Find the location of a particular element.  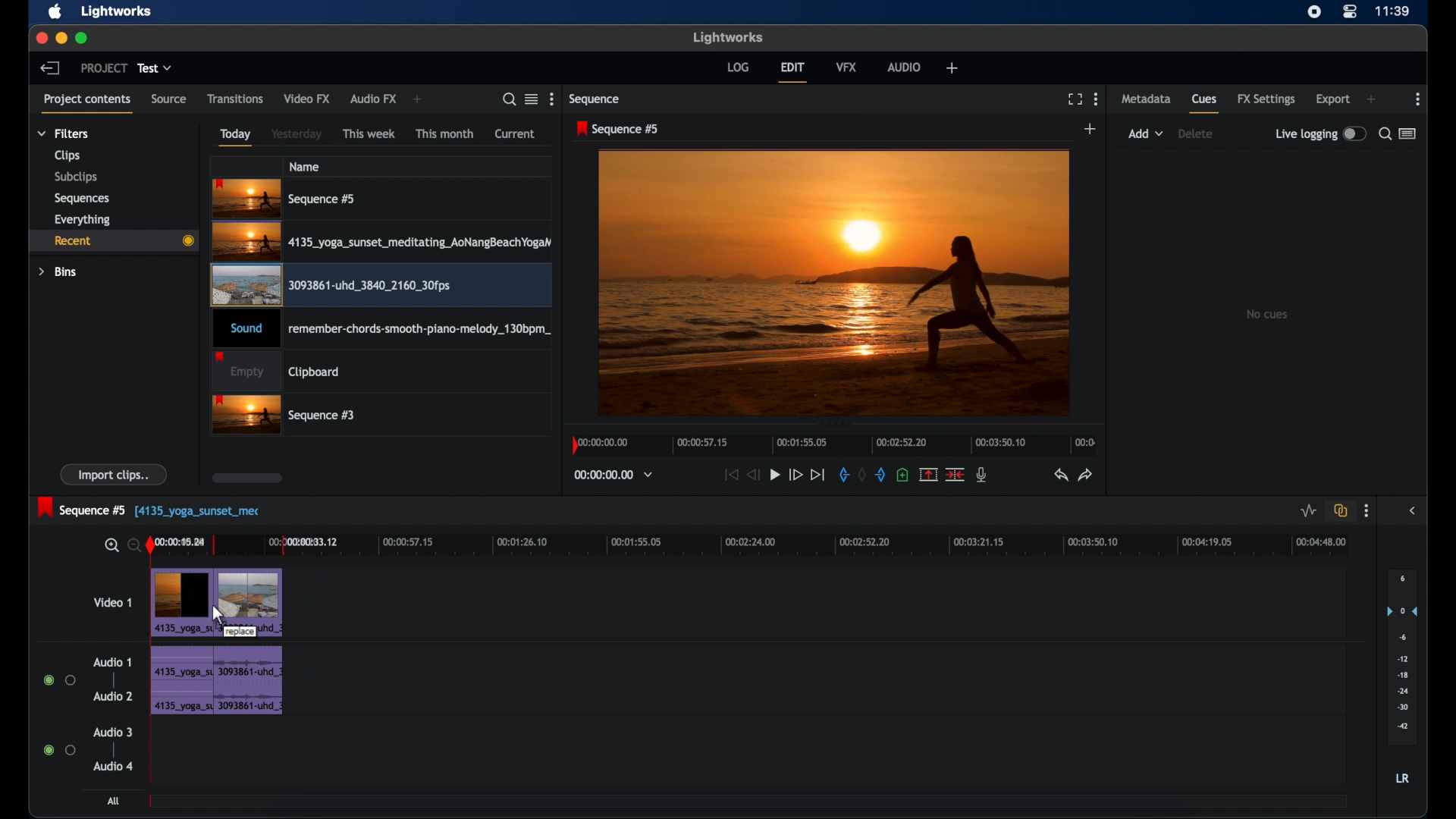

filters is located at coordinates (64, 133).